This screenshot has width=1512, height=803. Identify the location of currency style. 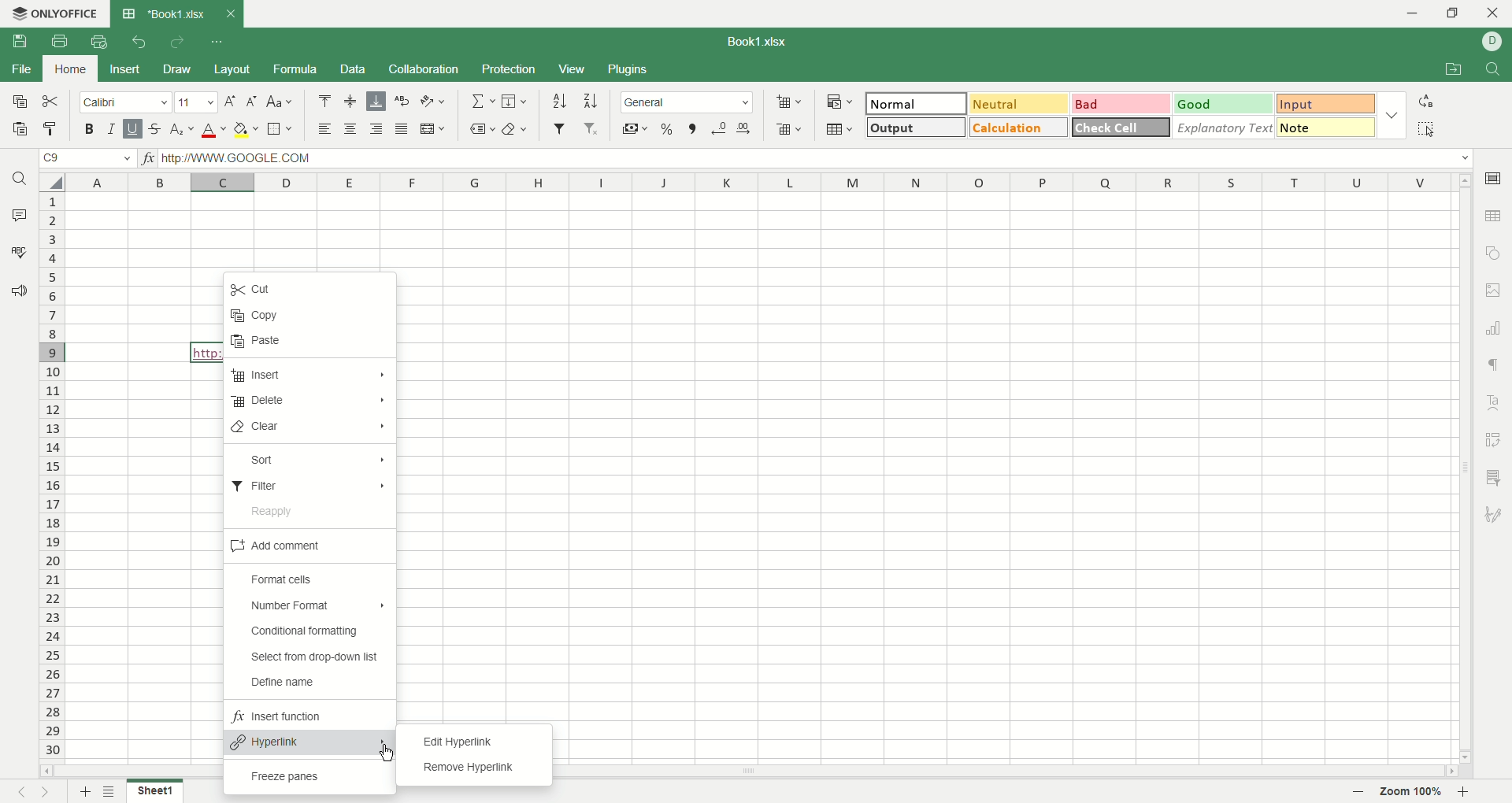
(632, 130).